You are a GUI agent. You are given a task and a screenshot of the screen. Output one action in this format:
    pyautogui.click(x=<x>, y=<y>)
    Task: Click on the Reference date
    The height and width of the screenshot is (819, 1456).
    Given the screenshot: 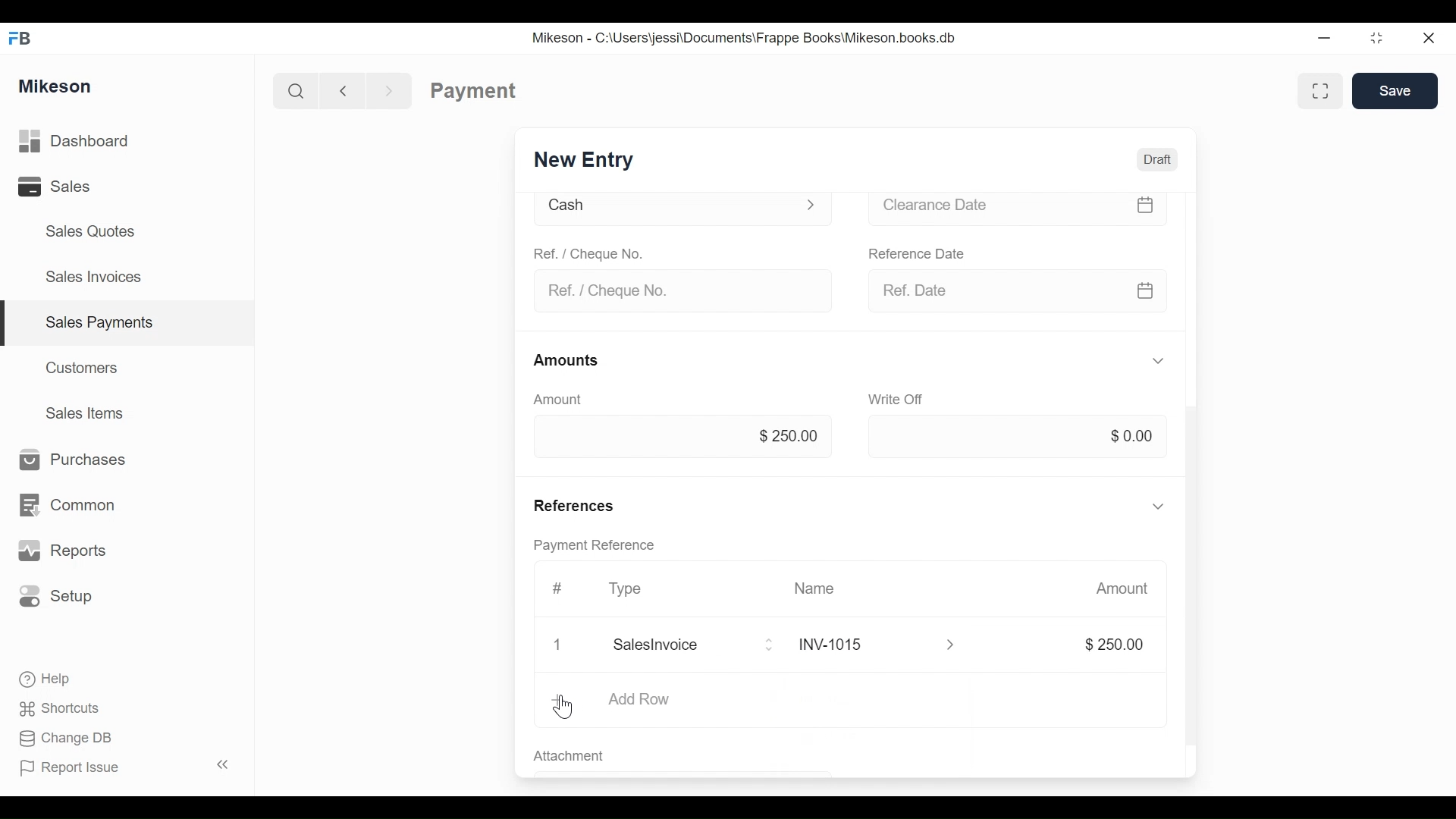 What is the action you would take?
    pyautogui.click(x=918, y=253)
    